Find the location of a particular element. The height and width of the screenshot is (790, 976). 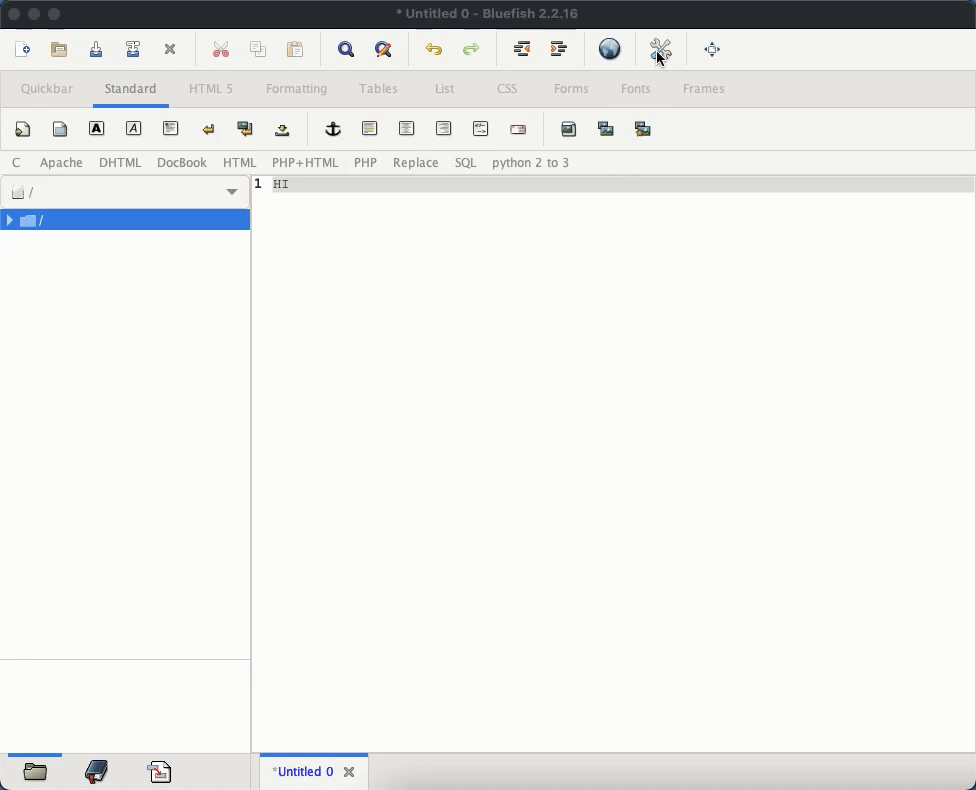

paste is located at coordinates (291, 51).